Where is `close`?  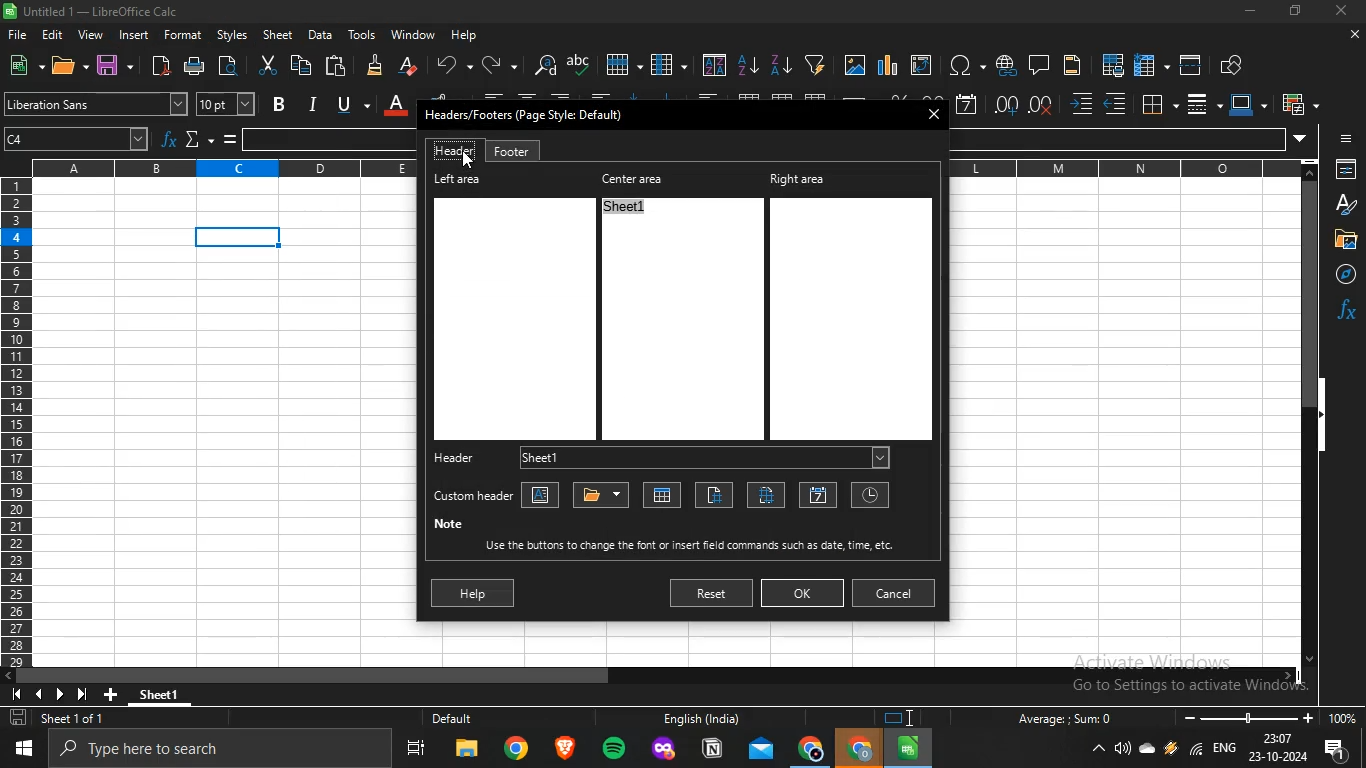
close is located at coordinates (1343, 13).